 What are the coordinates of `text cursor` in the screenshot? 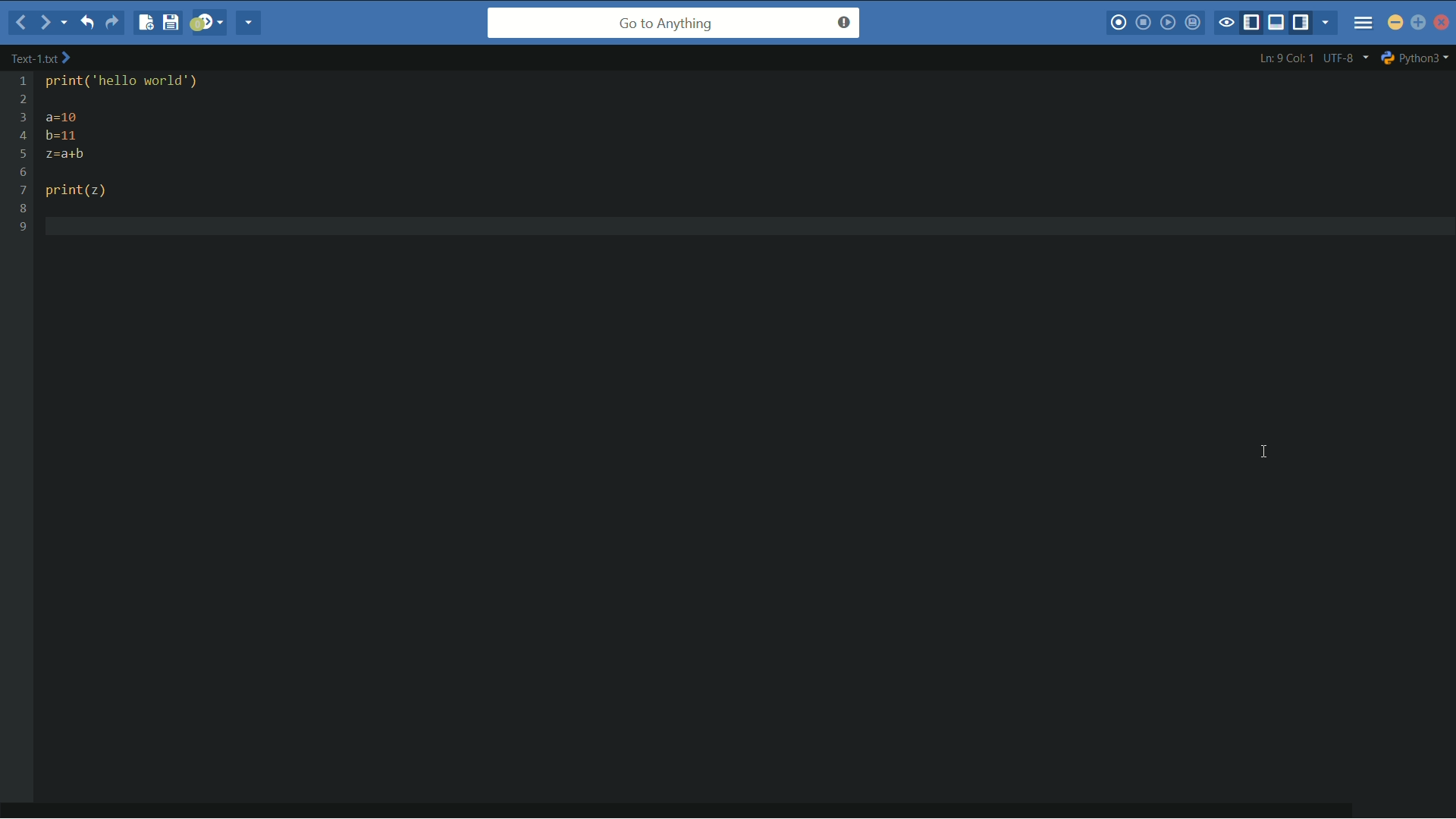 It's located at (56, 226).